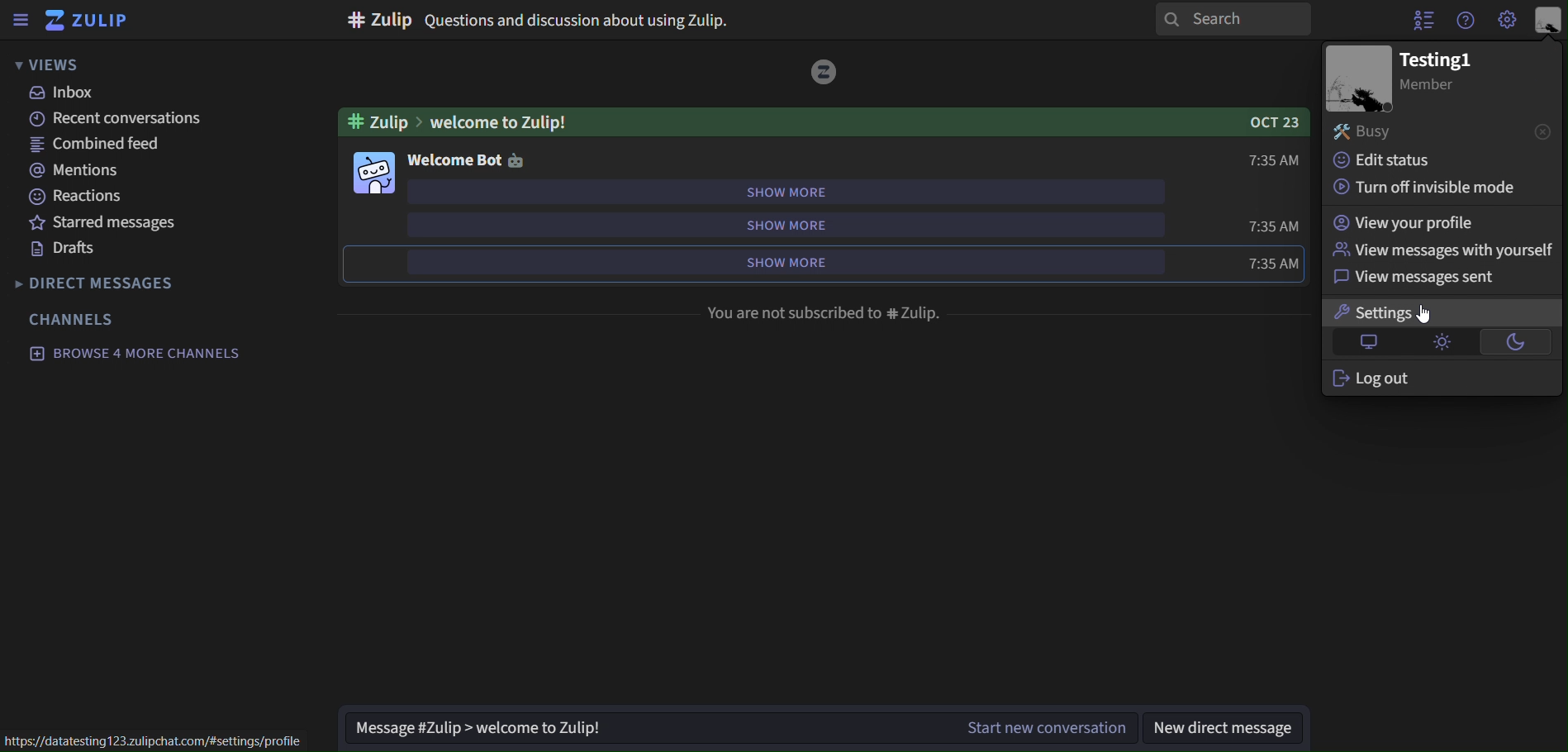 This screenshot has height=752, width=1568. I want to click on OCT 23, so click(1268, 122).